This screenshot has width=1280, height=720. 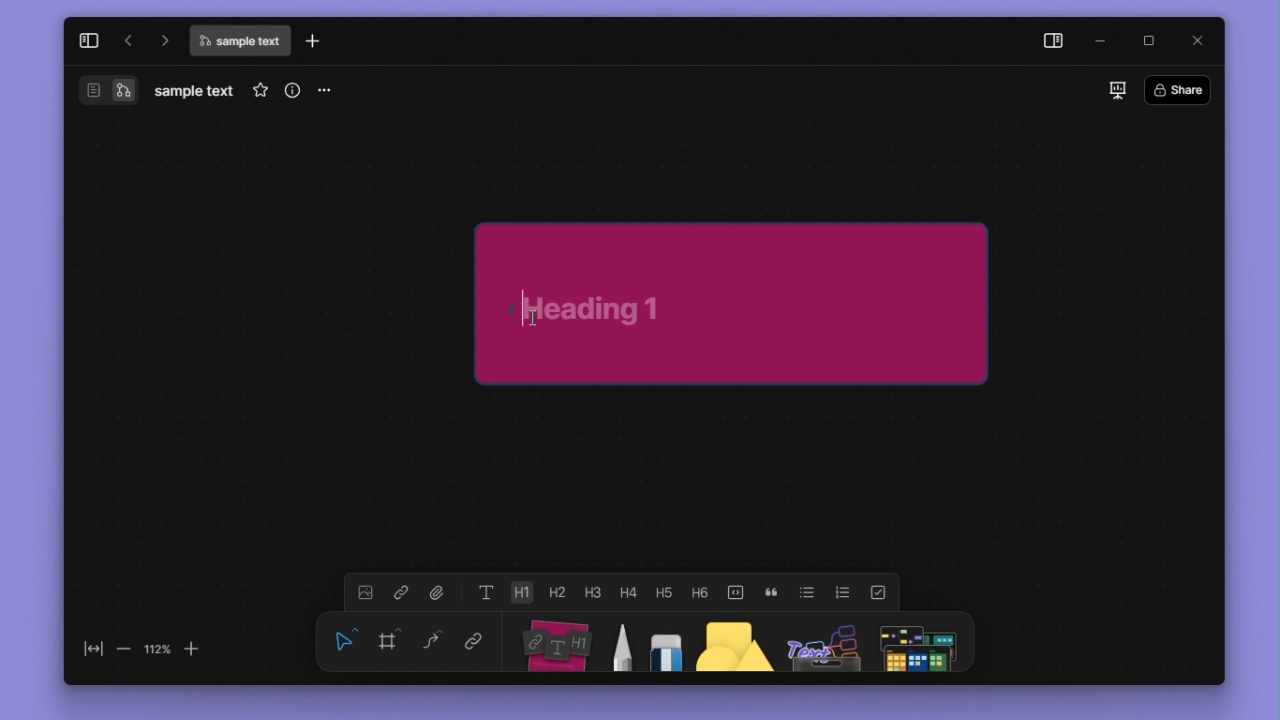 I want to click on more, so click(x=917, y=642).